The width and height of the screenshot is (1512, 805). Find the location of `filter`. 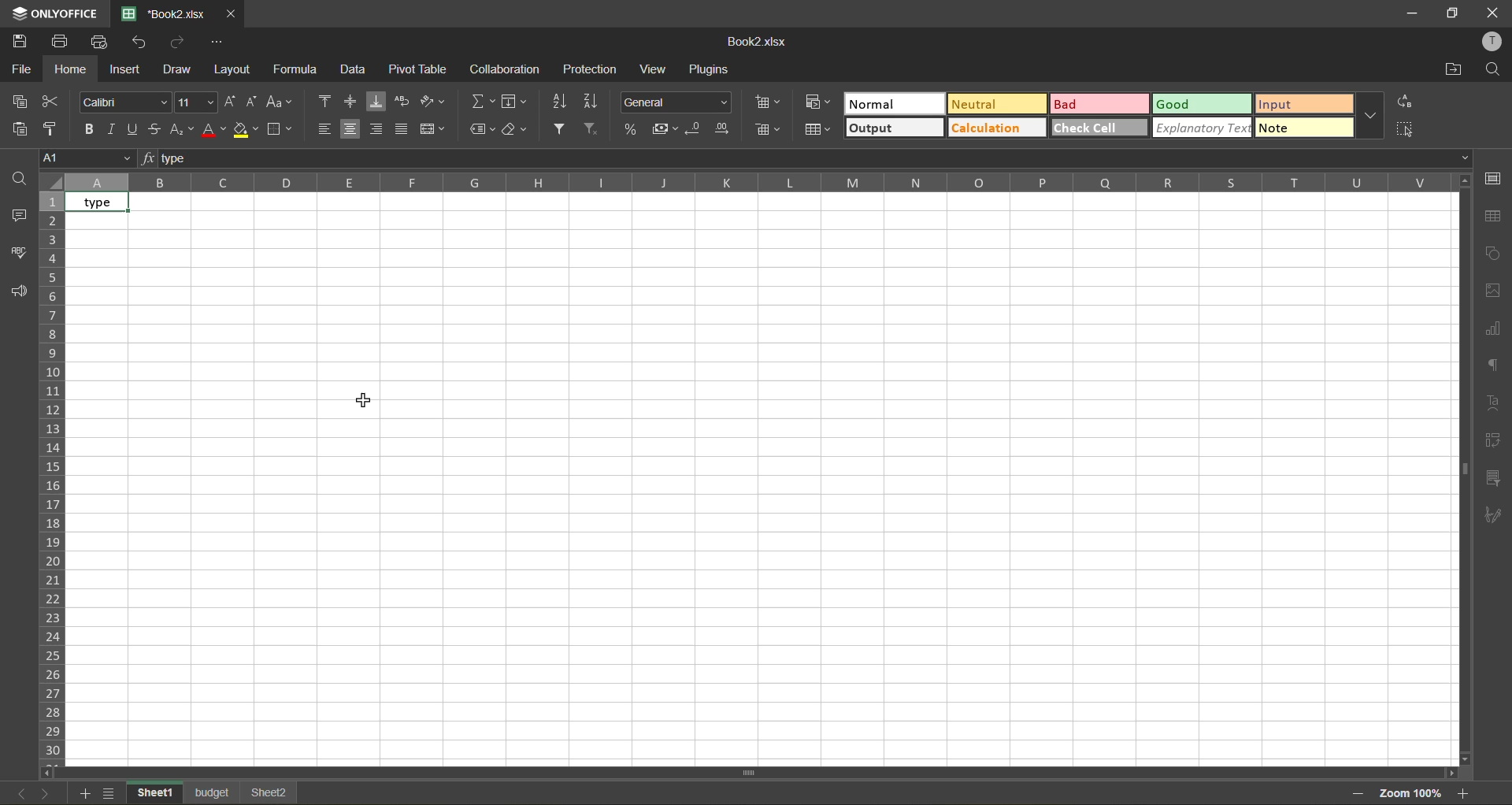

filter is located at coordinates (561, 129).